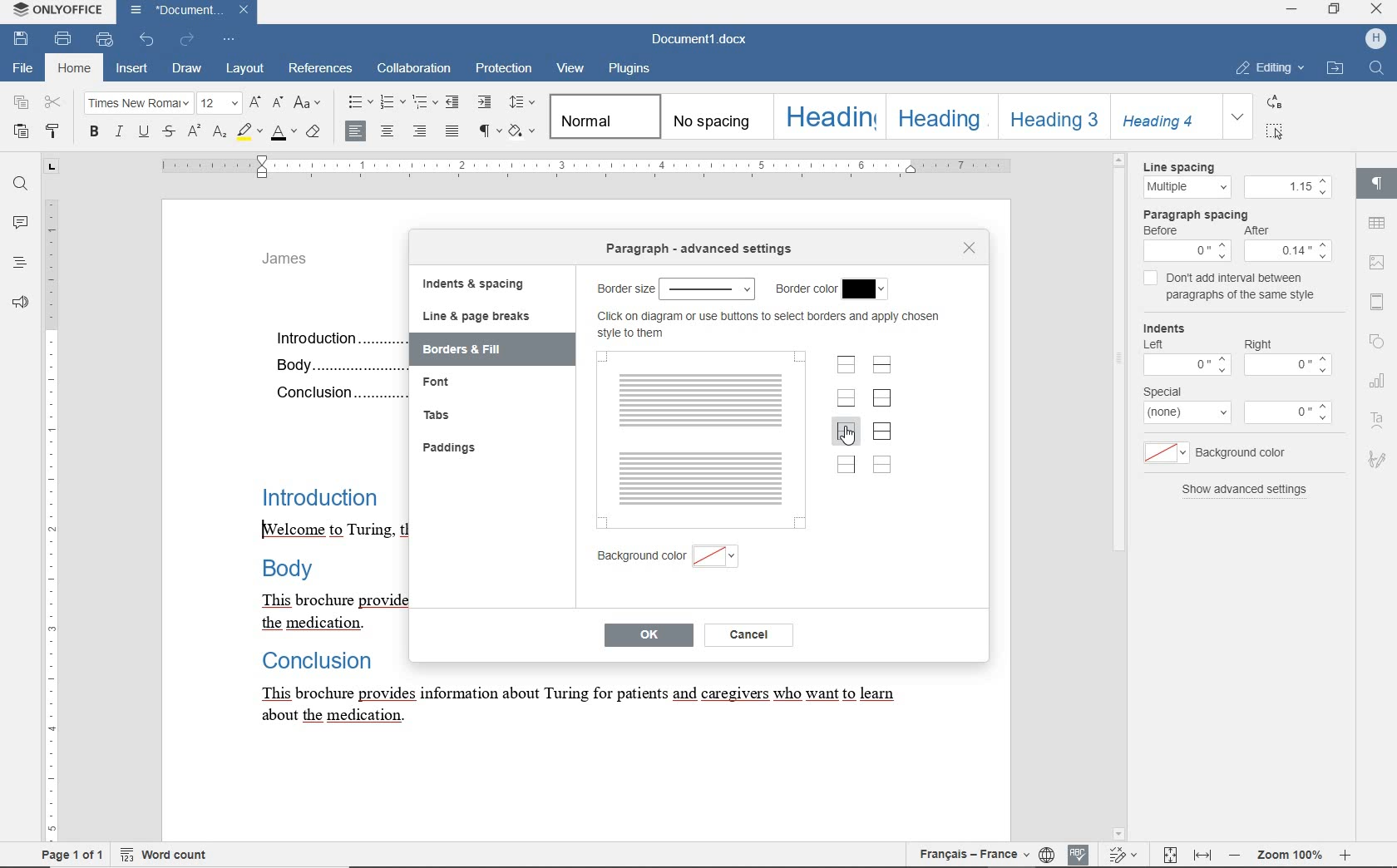 The height and width of the screenshot is (868, 1397). I want to click on no spacing, so click(713, 117).